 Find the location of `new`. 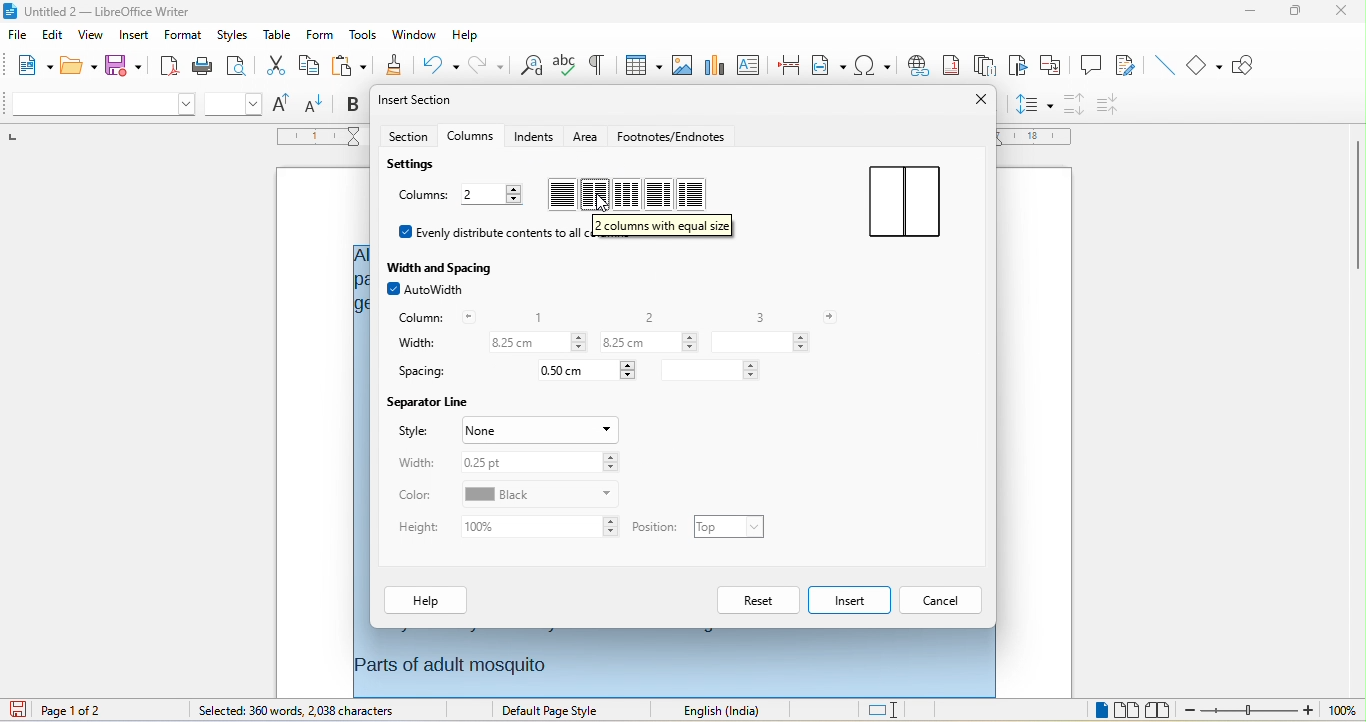

new is located at coordinates (26, 65).